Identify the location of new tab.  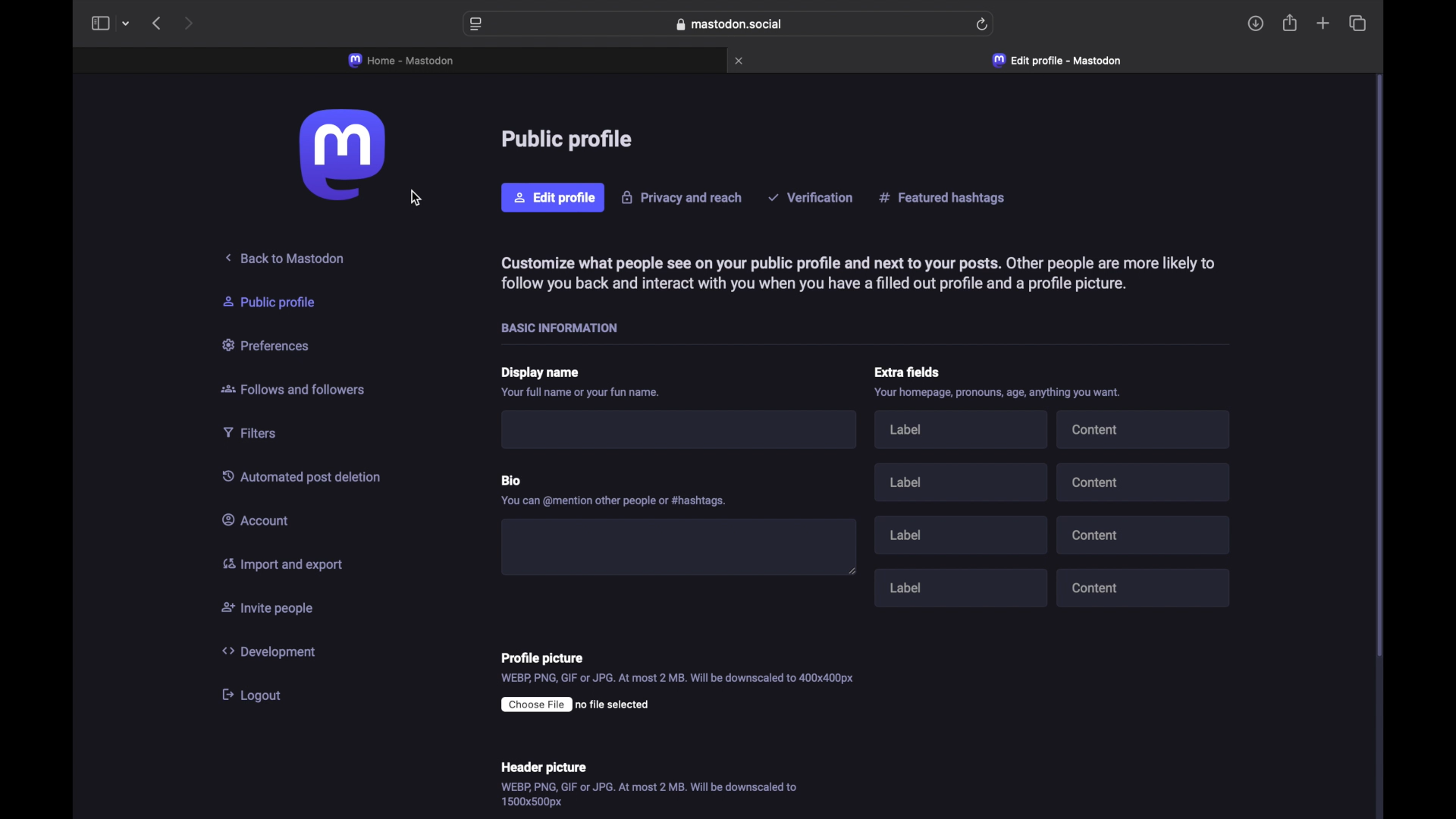
(1323, 25).